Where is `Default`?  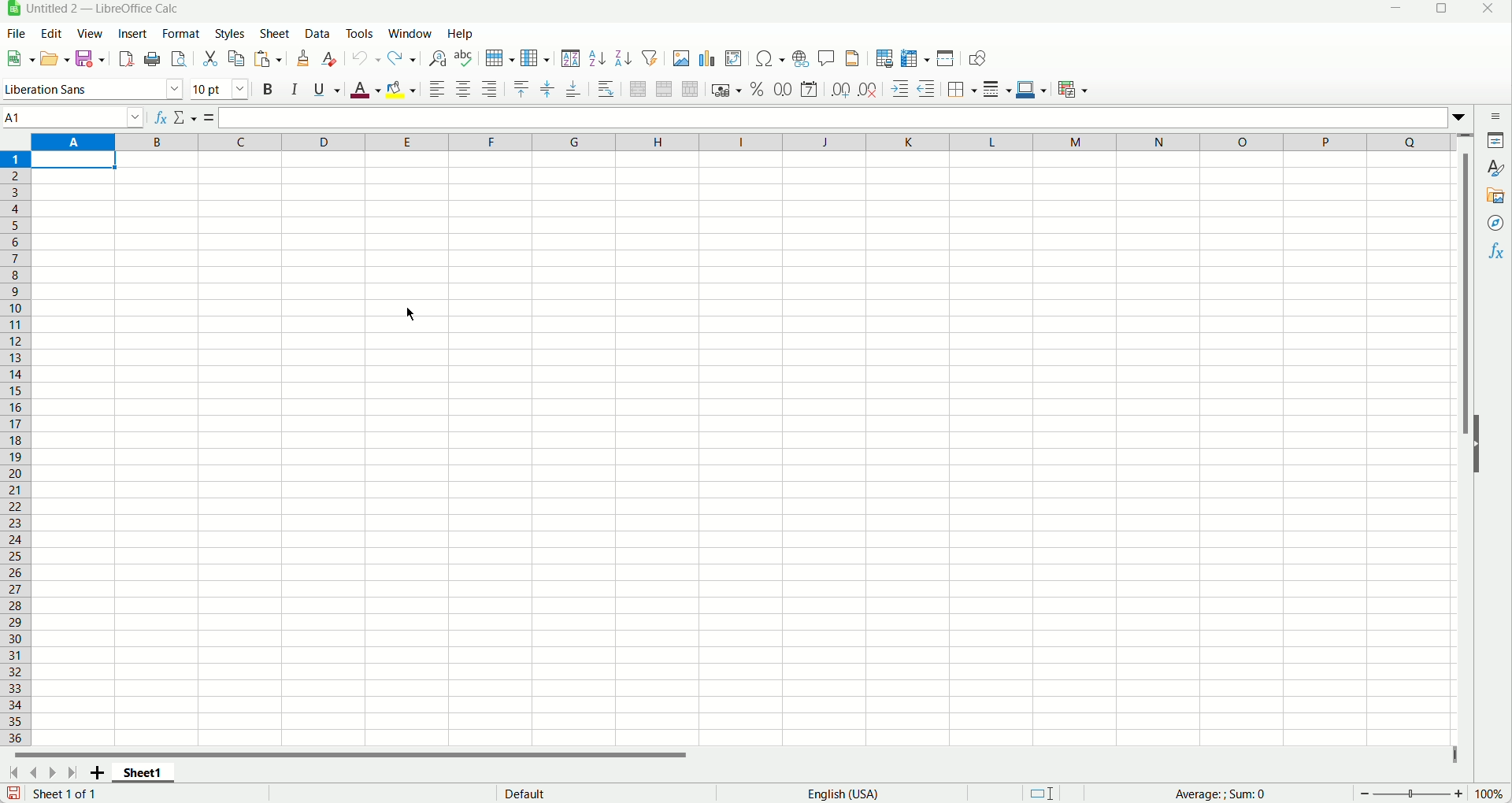
Default is located at coordinates (587, 794).